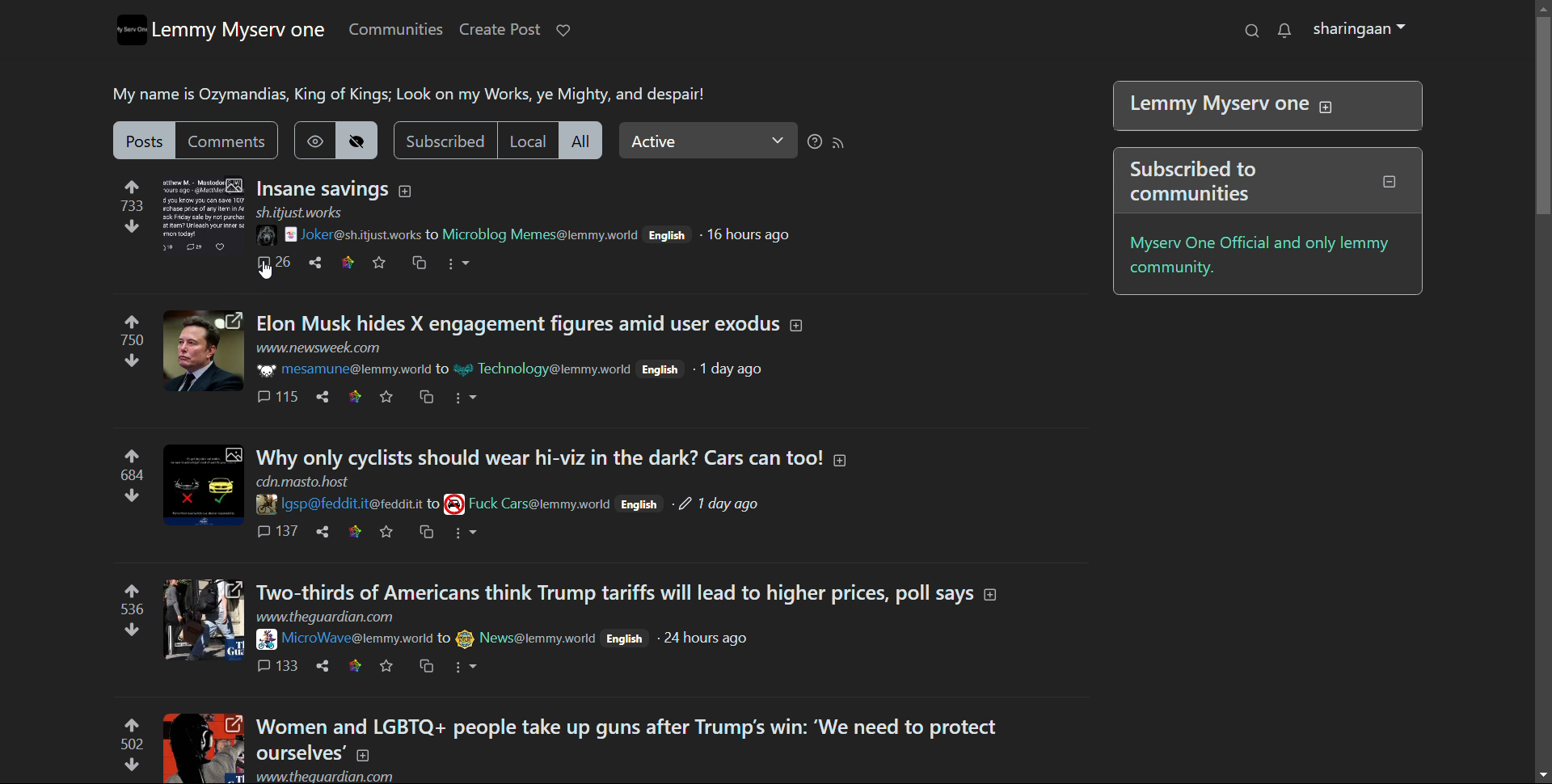  I want to click on create post, so click(500, 29).